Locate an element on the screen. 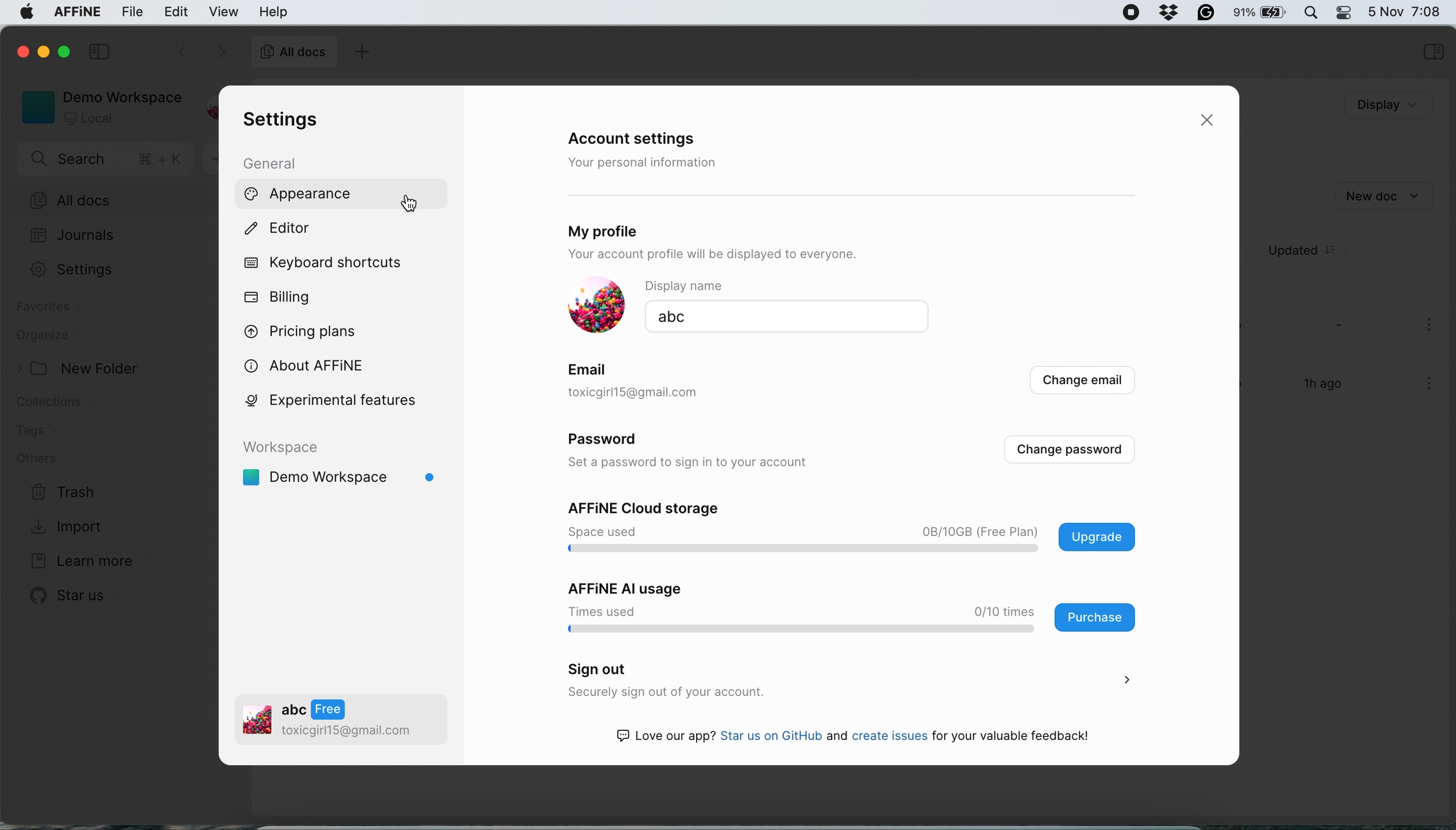 This screenshot has width=1456, height=830. editor is located at coordinates (280, 229).